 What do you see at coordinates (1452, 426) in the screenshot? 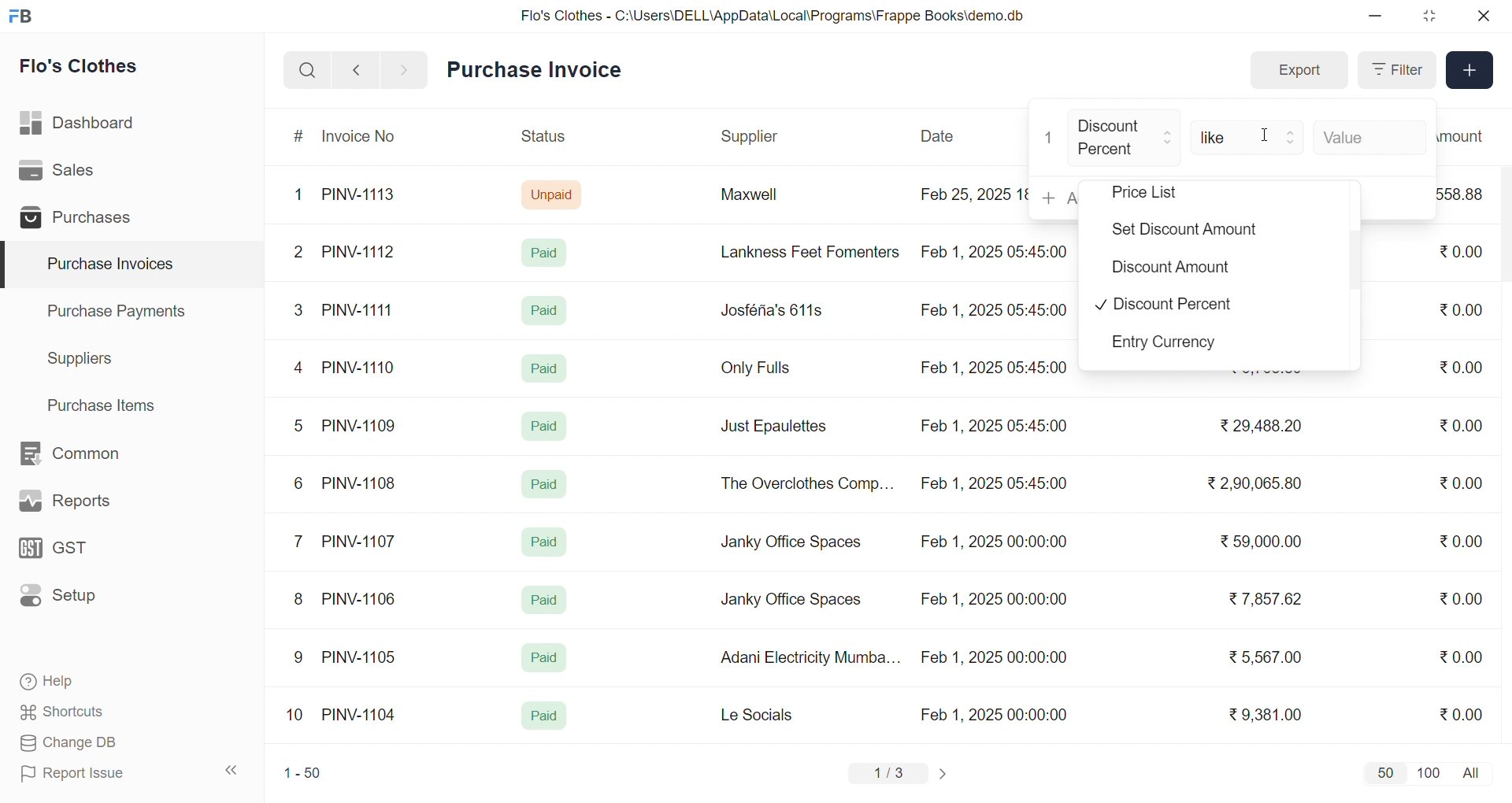
I see `₹0.00` at bounding box center [1452, 426].